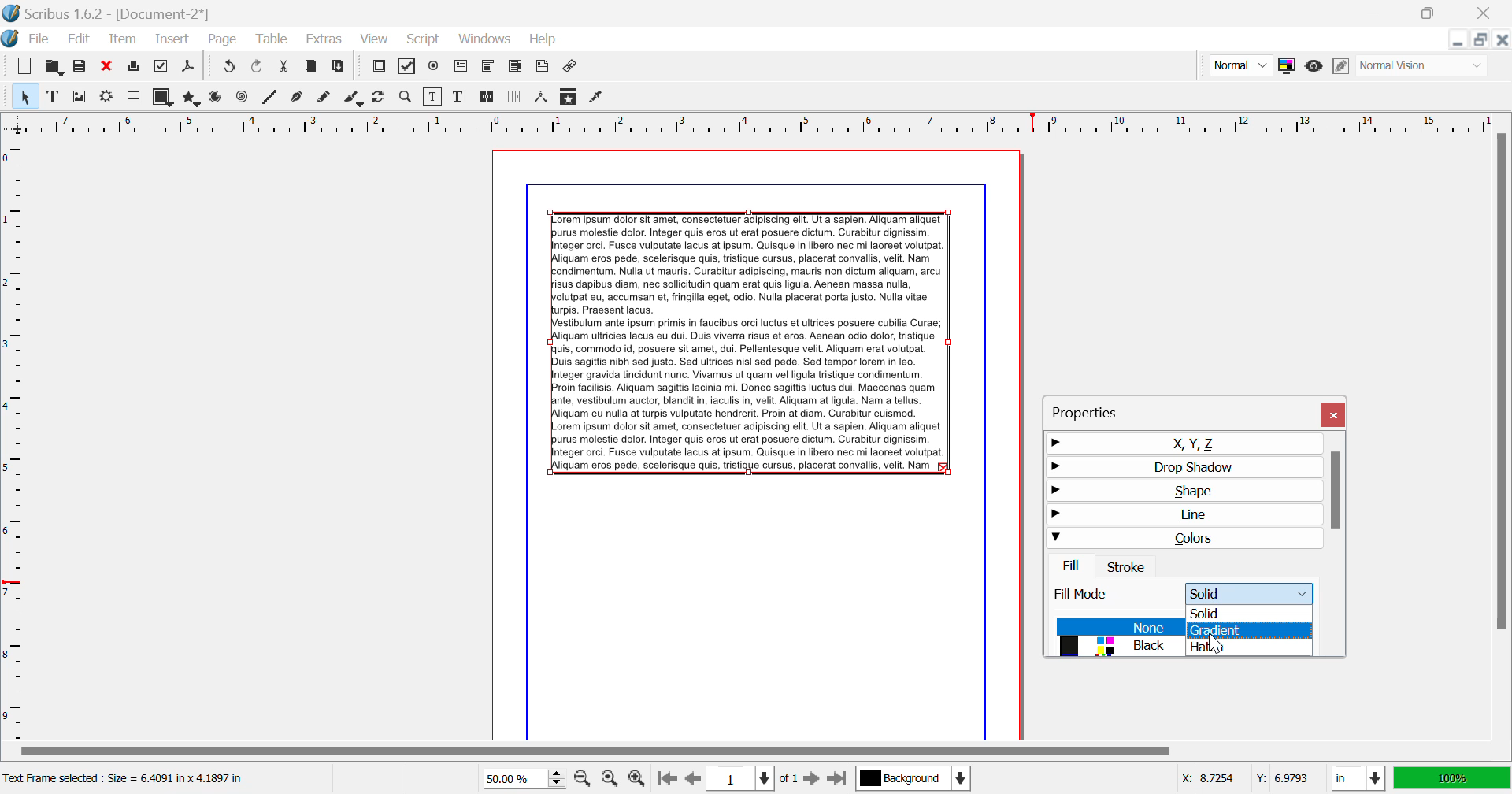 This screenshot has height=794, width=1512. What do you see at coordinates (1336, 415) in the screenshot?
I see `Close` at bounding box center [1336, 415].